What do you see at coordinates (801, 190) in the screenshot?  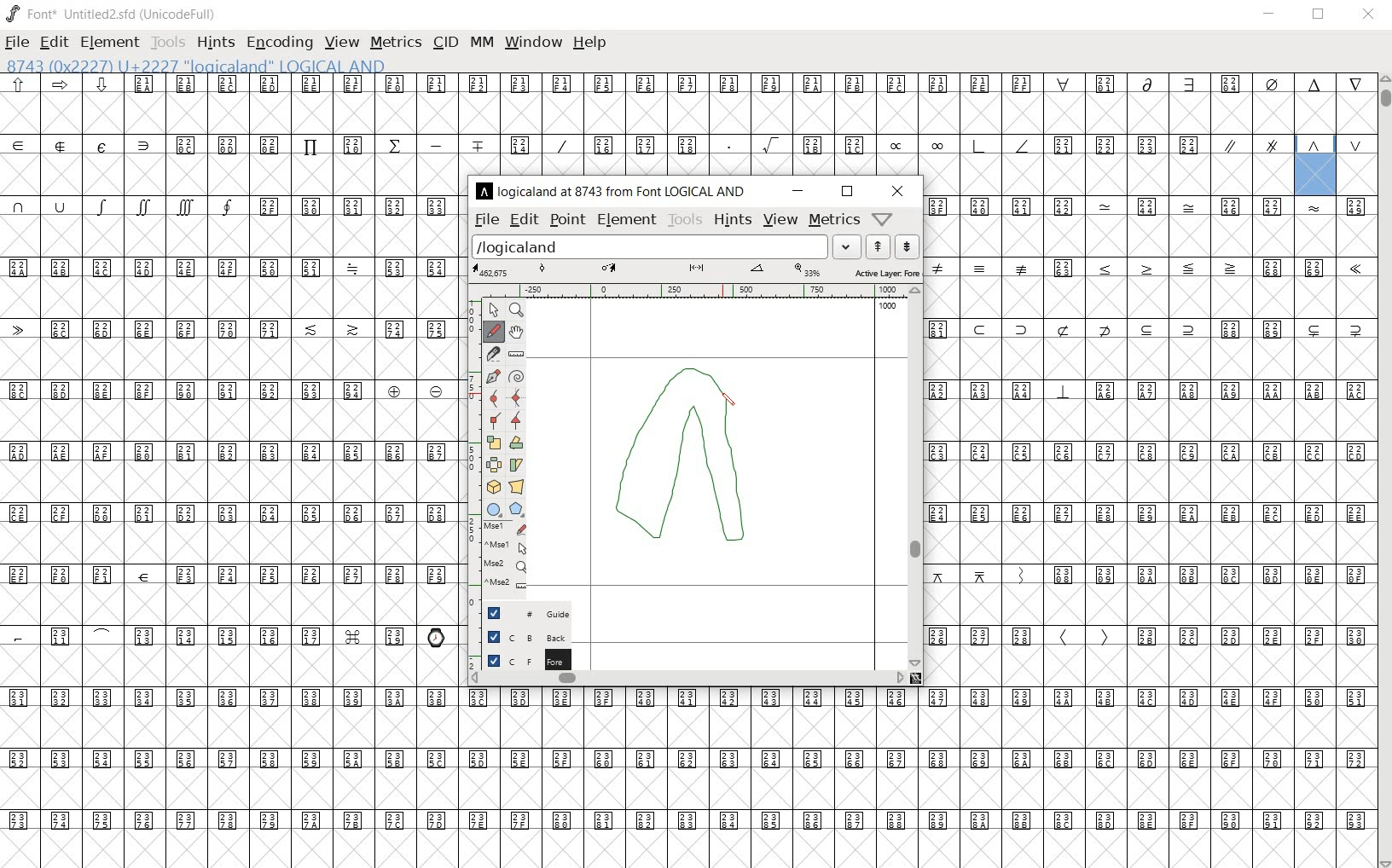 I see `minimize` at bounding box center [801, 190].